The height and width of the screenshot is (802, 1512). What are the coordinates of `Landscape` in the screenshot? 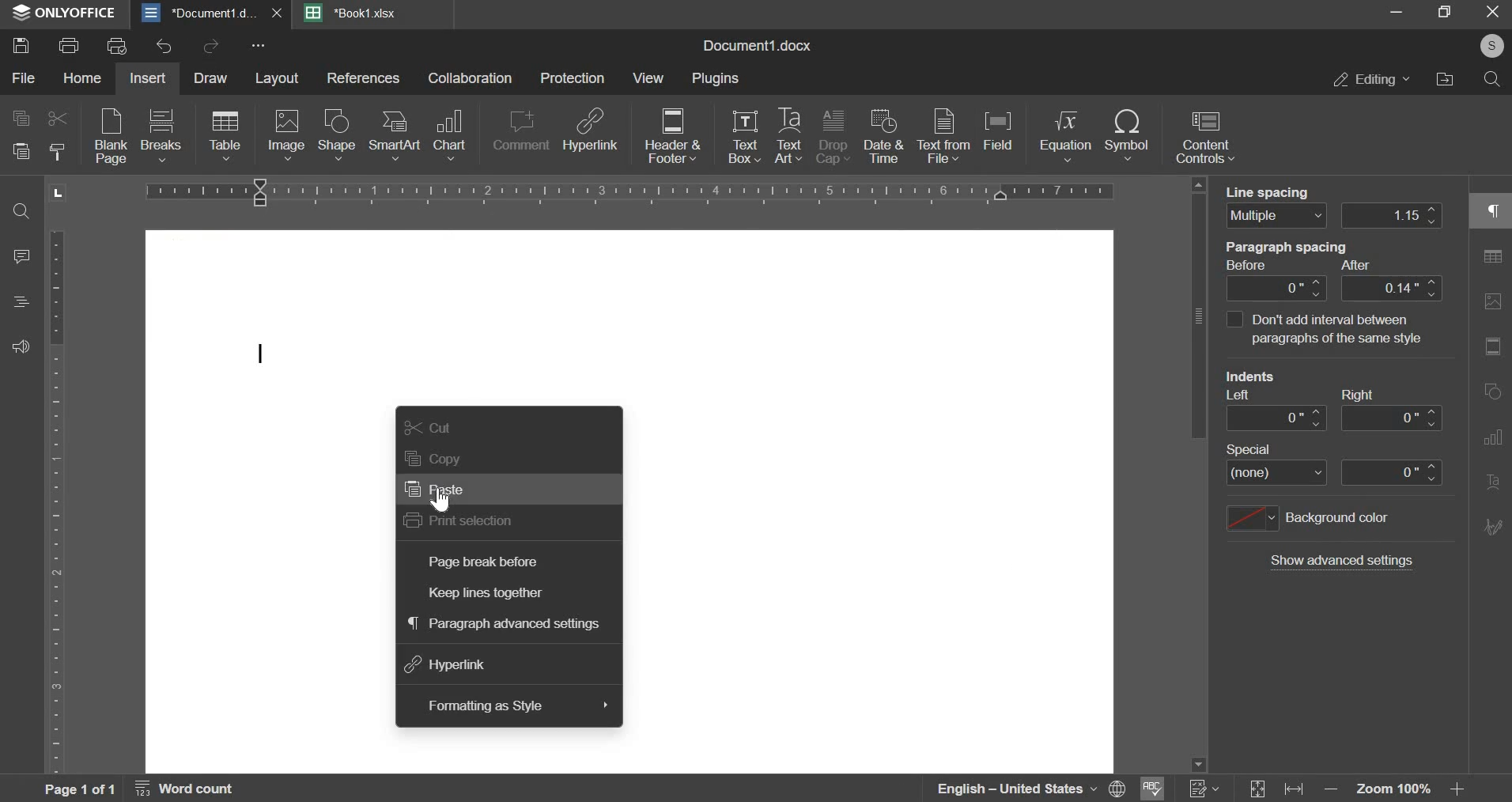 It's located at (58, 193).